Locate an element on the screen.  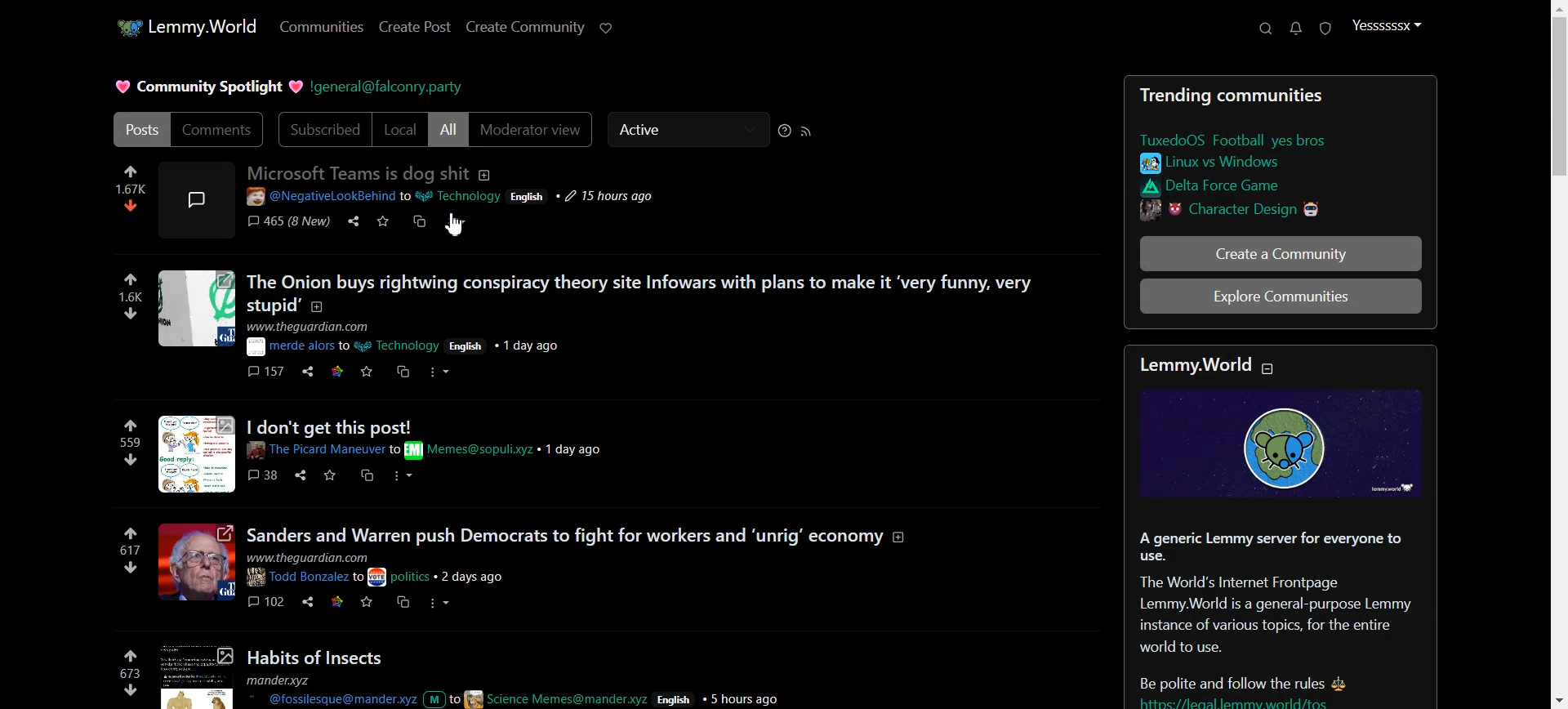
link is located at coordinates (131, 534).